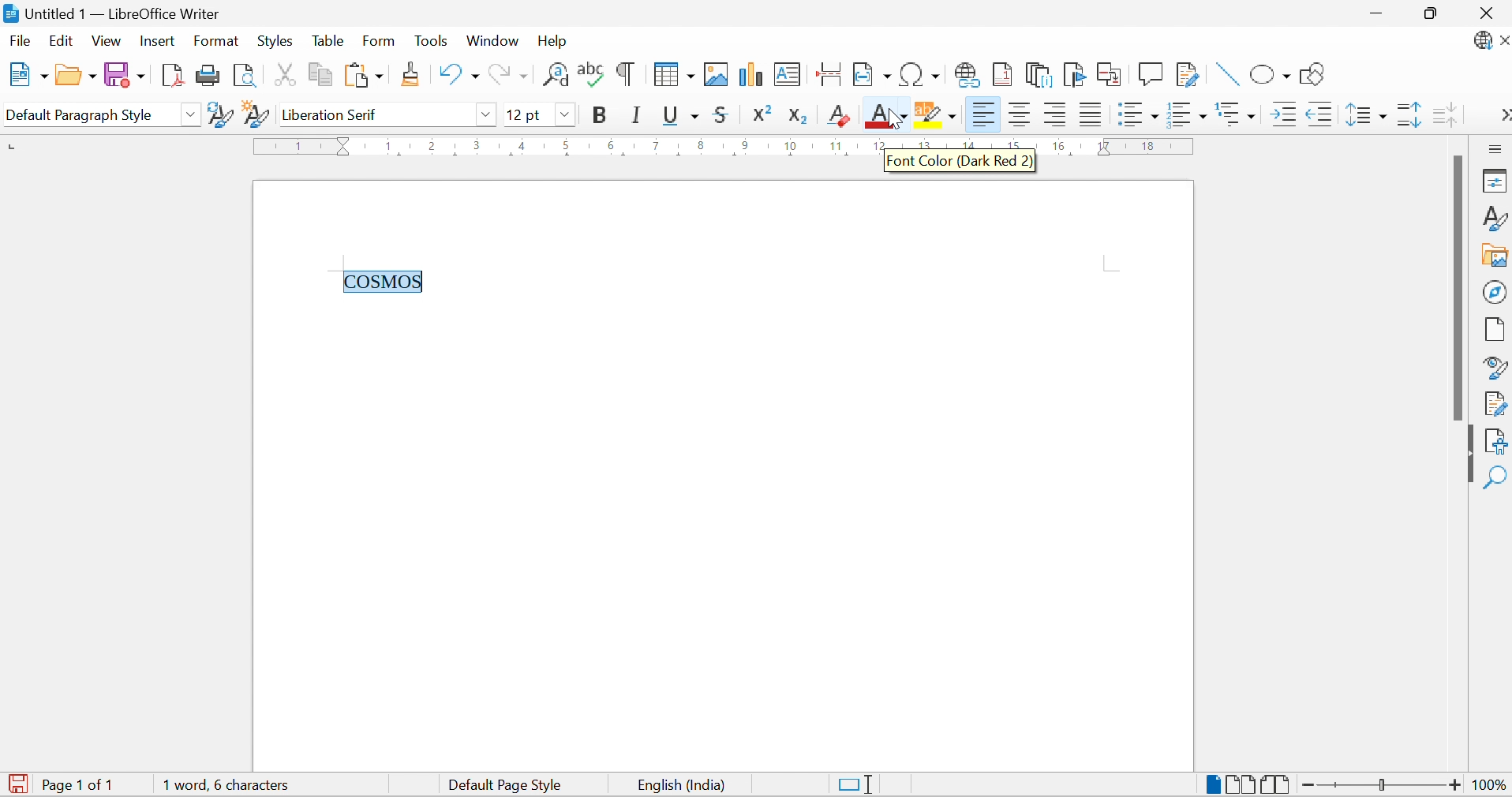 The width and height of the screenshot is (1512, 797). What do you see at coordinates (1408, 116) in the screenshot?
I see `Increase Paragraph Spacing` at bounding box center [1408, 116].